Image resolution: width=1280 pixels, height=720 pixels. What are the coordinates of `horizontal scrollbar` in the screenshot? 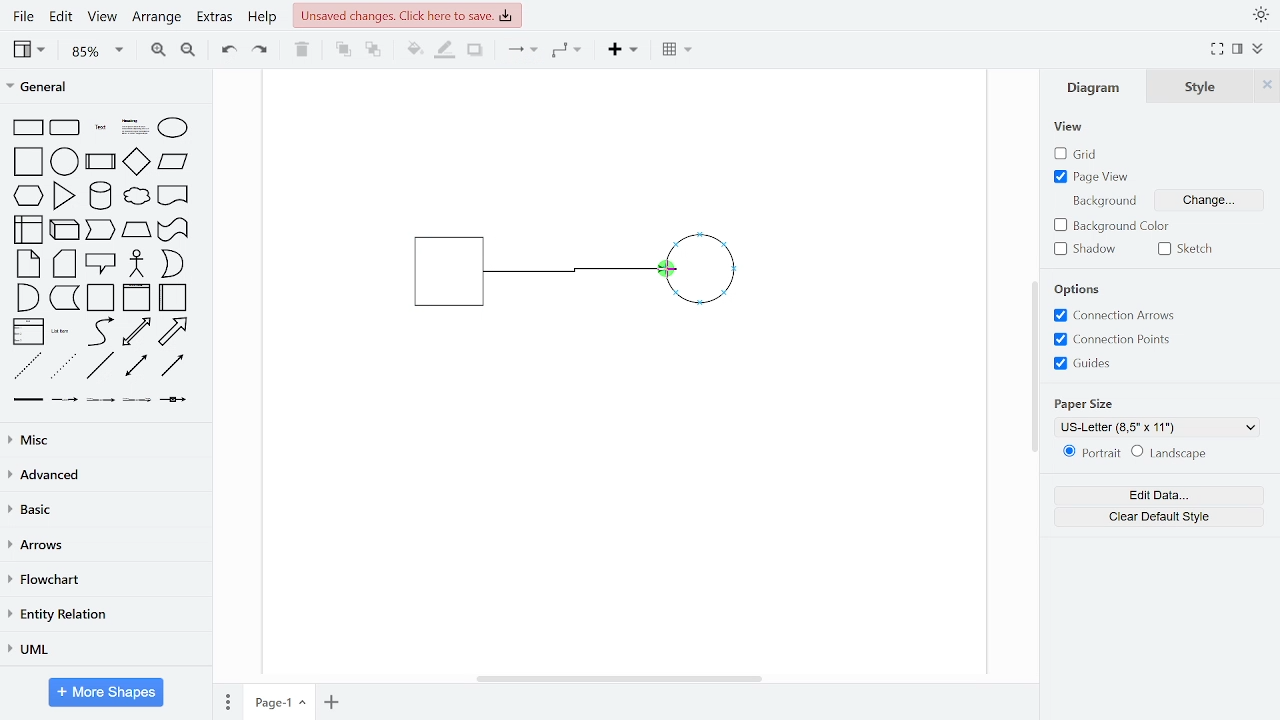 It's located at (622, 678).